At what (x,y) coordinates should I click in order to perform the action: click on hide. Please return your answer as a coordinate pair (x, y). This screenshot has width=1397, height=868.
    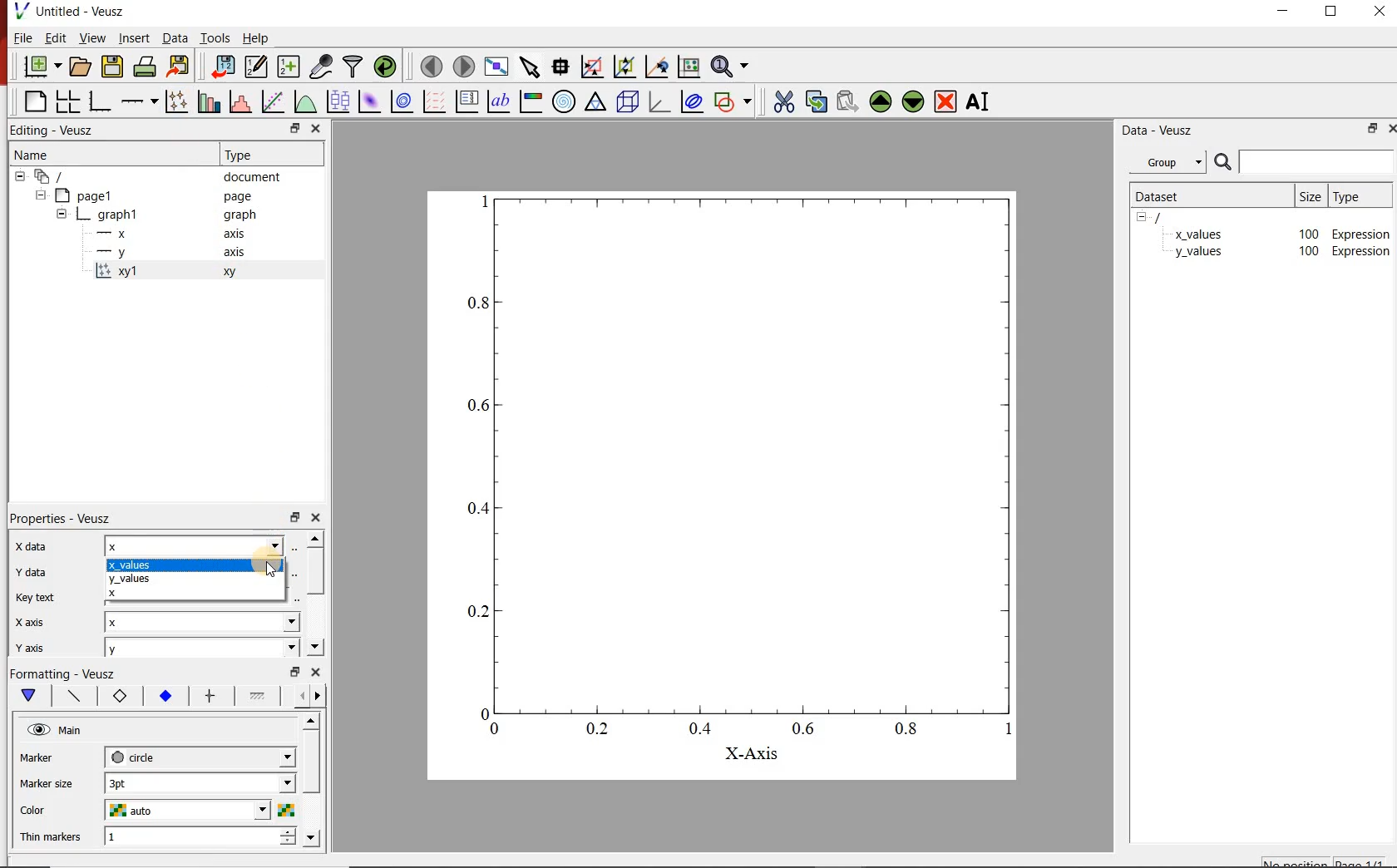
    Looking at the image, I should click on (40, 195).